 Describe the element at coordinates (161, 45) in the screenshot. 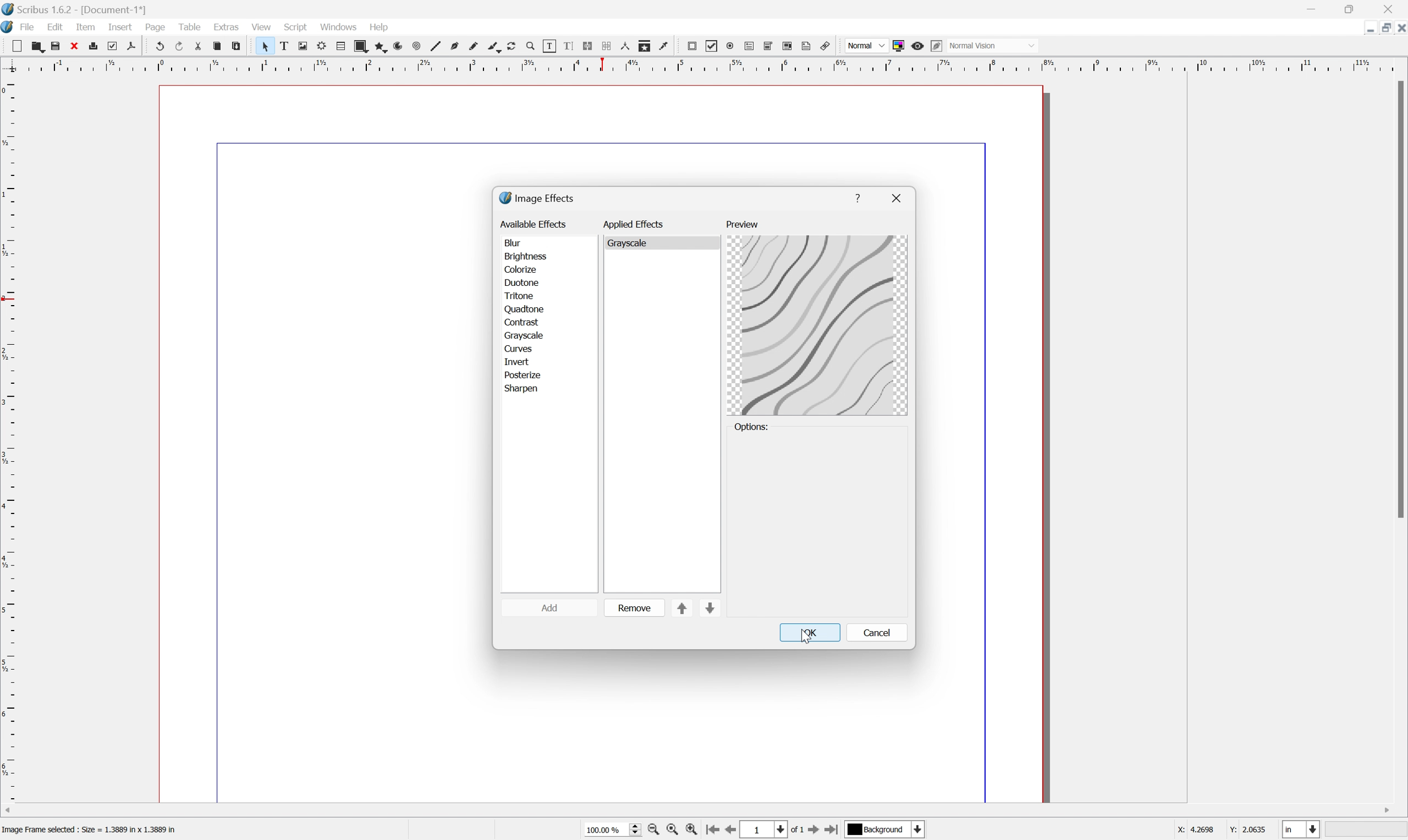

I see `Undo` at that location.